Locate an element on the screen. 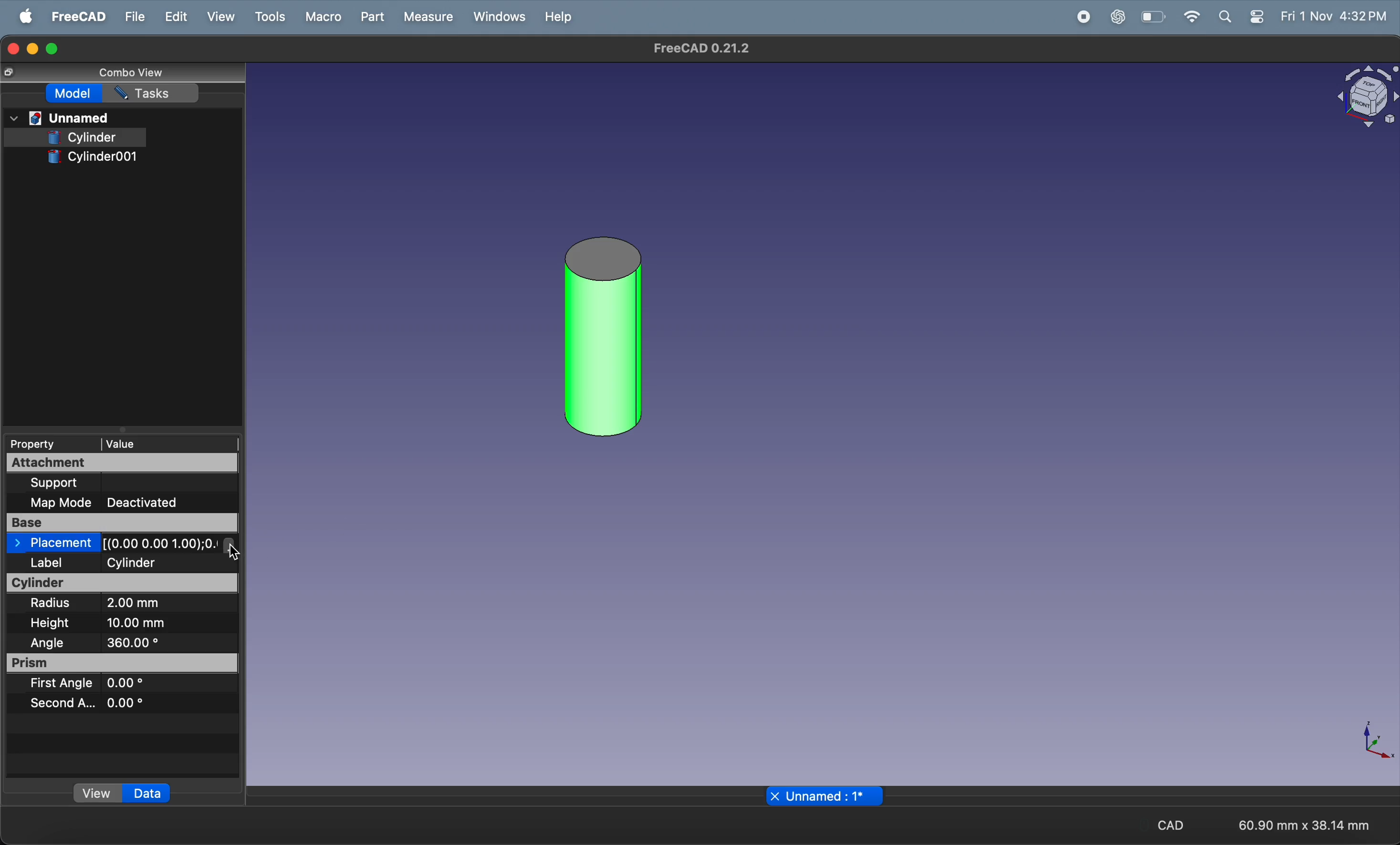 This screenshot has width=1400, height=845. freecad is located at coordinates (74, 16).